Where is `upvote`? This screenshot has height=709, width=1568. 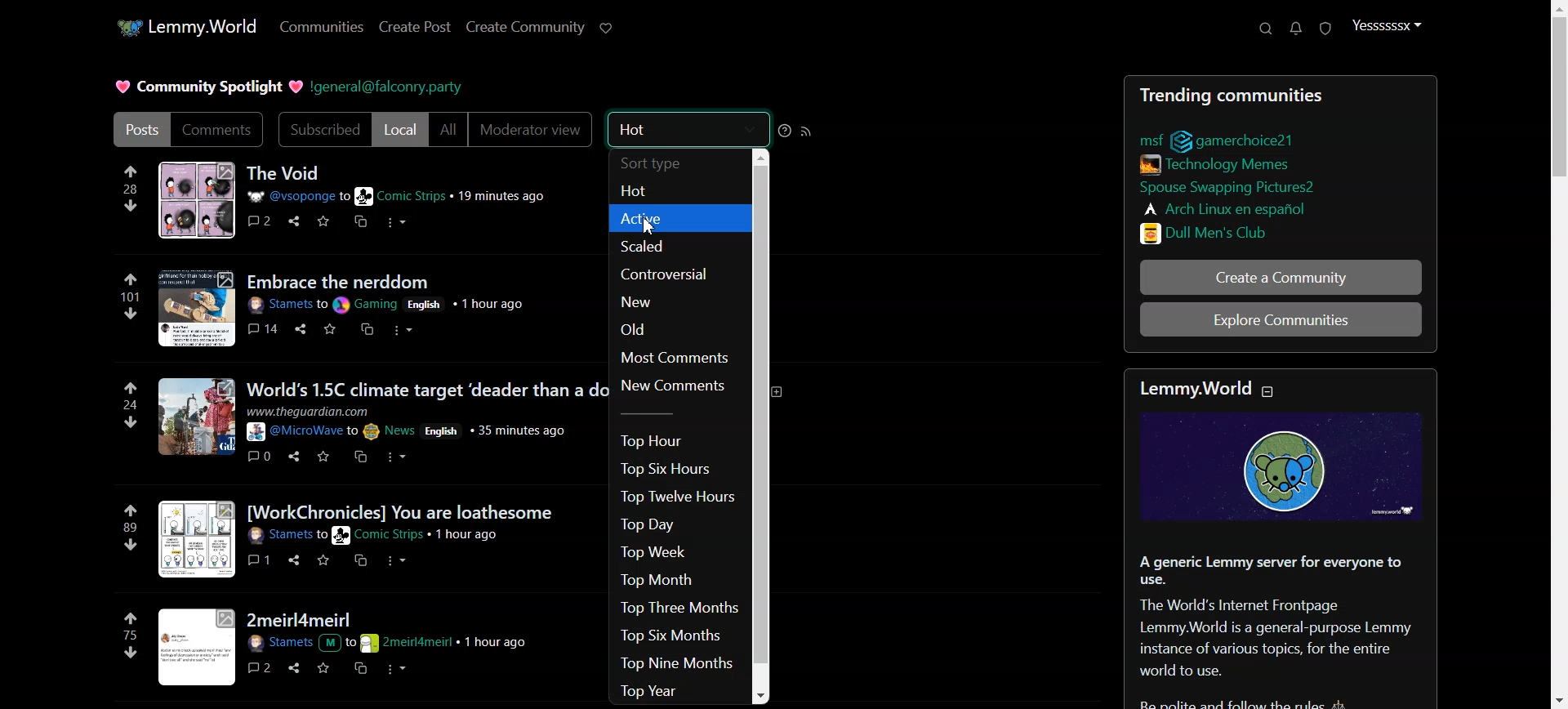 upvote is located at coordinates (134, 618).